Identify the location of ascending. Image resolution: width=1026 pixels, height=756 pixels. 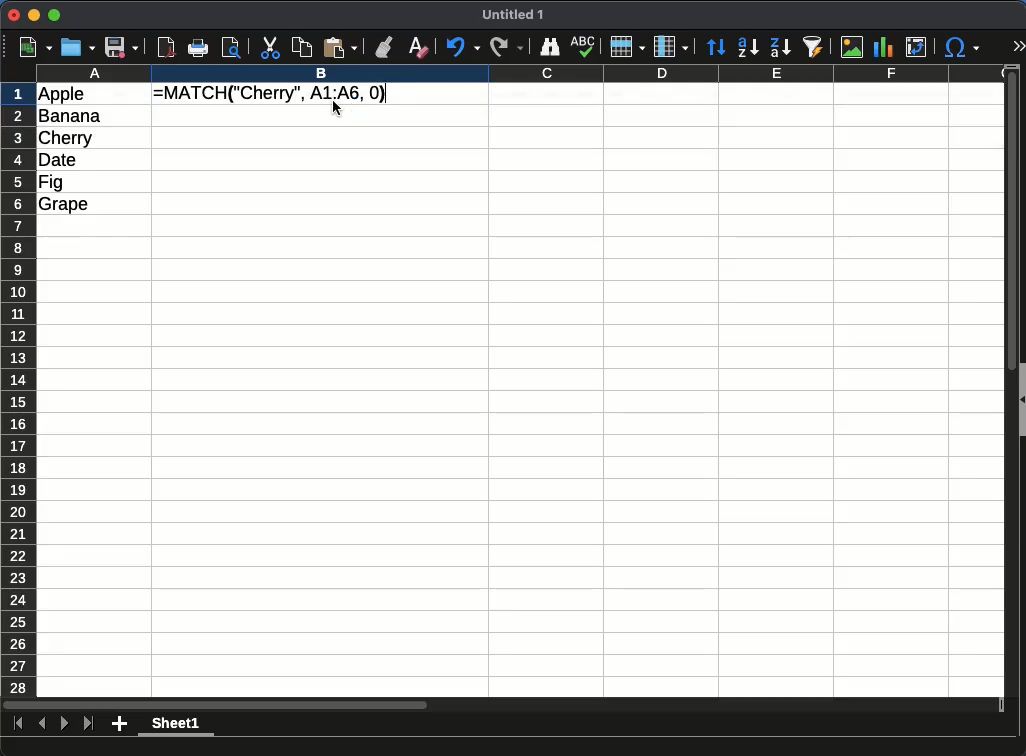
(748, 48).